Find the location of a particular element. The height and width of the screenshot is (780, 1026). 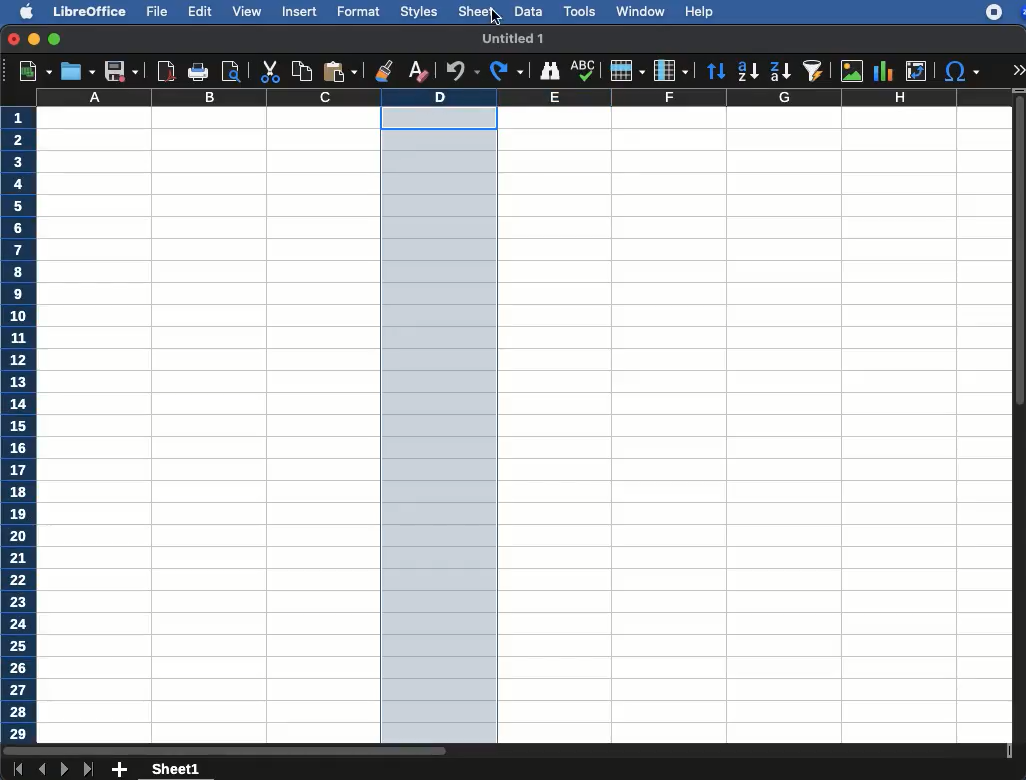

sort is located at coordinates (716, 71).